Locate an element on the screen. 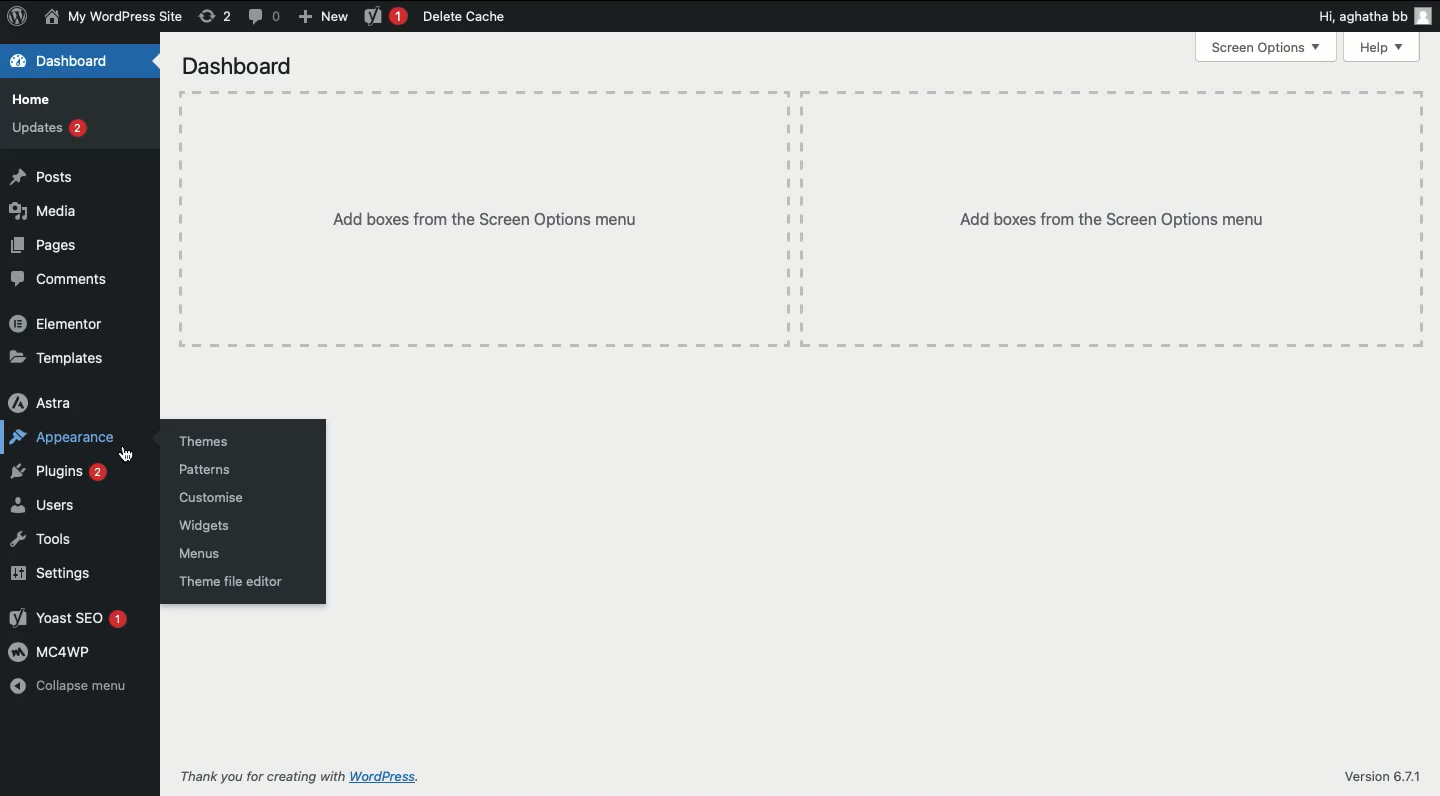 The width and height of the screenshot is (1440, 796). Thank you for creating with WordPress. is located at coordinates (307, 774).